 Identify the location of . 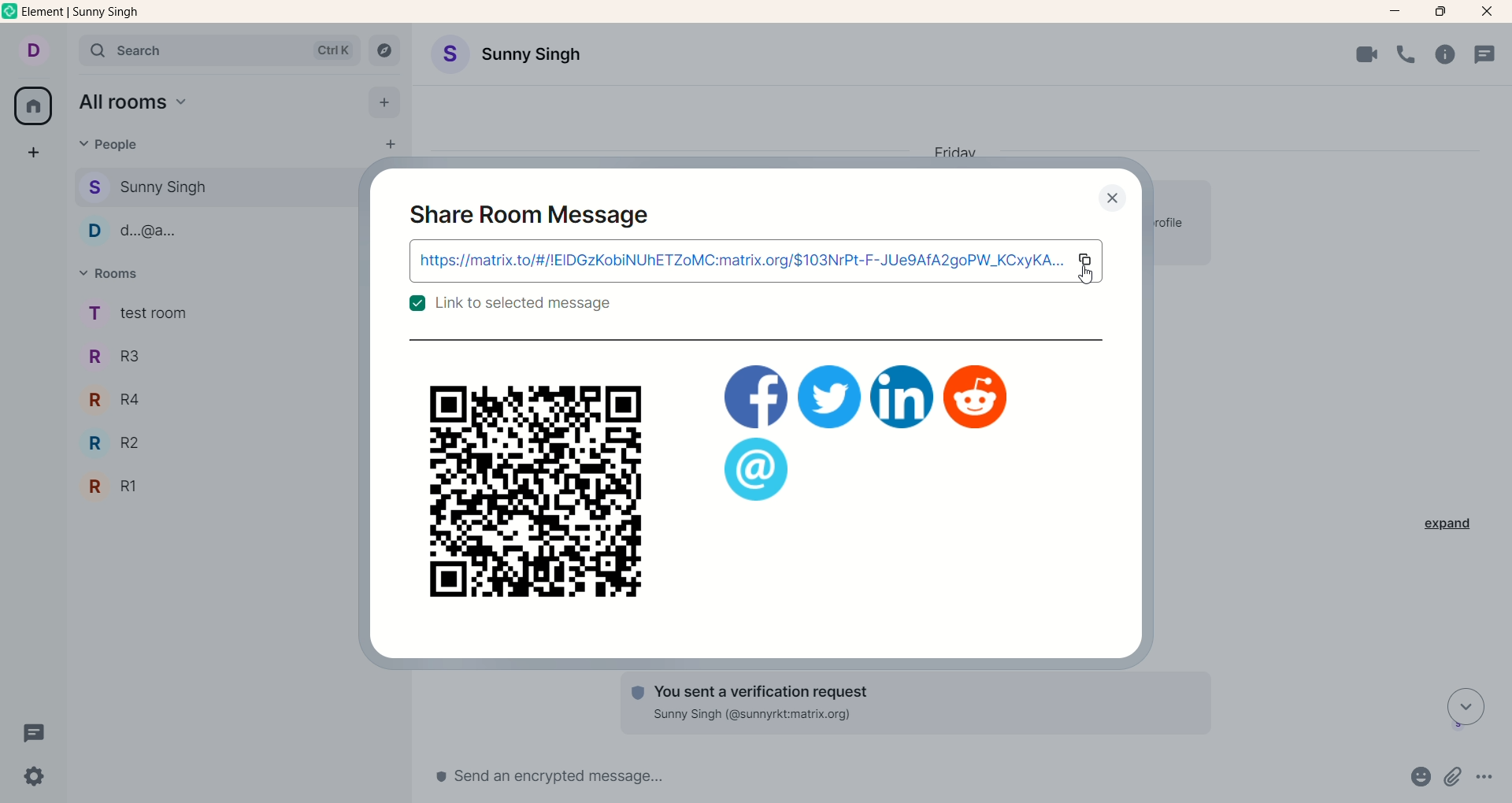
(756, 470).